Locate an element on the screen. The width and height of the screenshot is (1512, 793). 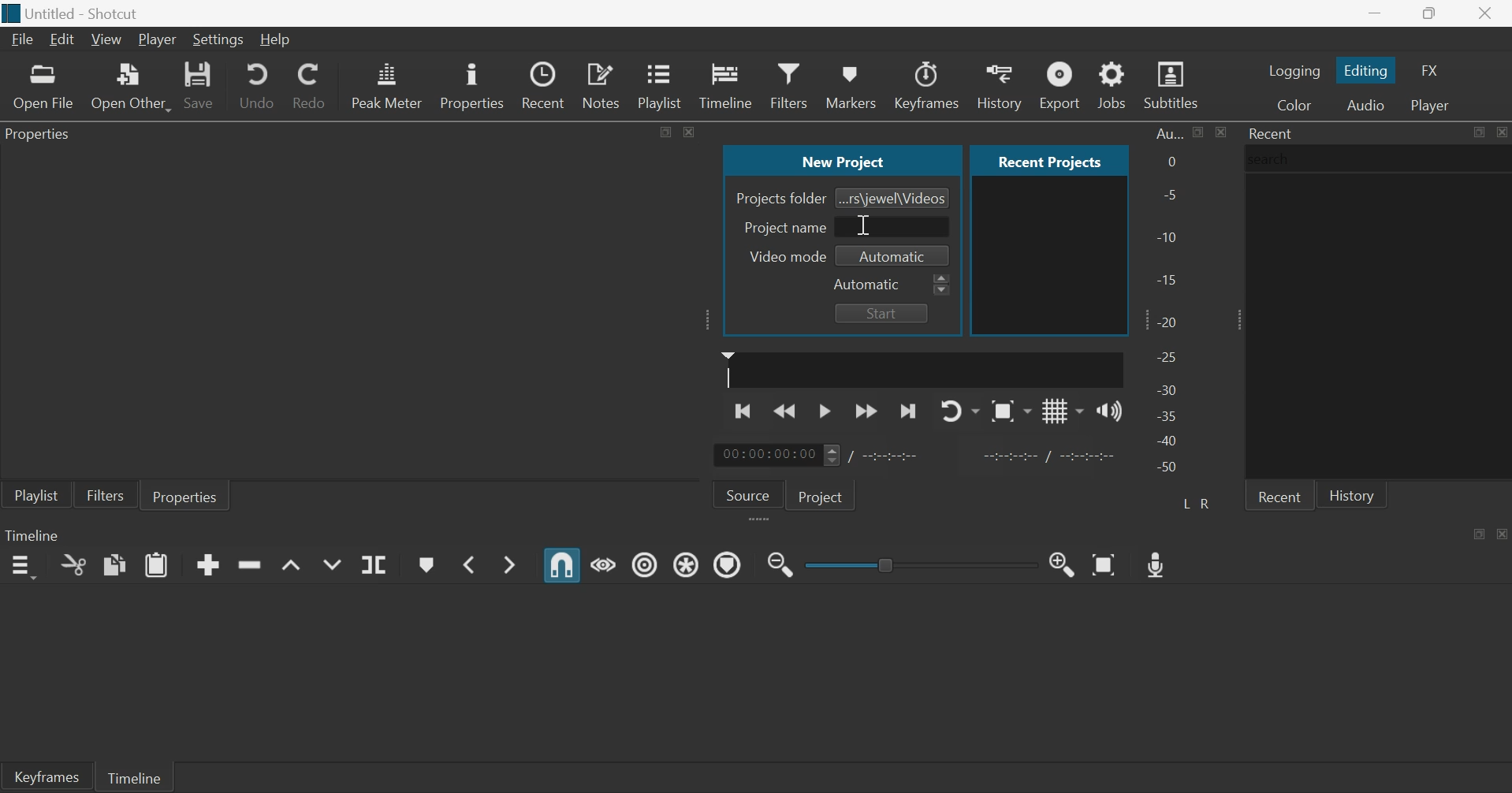
close is located at coordinates (1220, 132).